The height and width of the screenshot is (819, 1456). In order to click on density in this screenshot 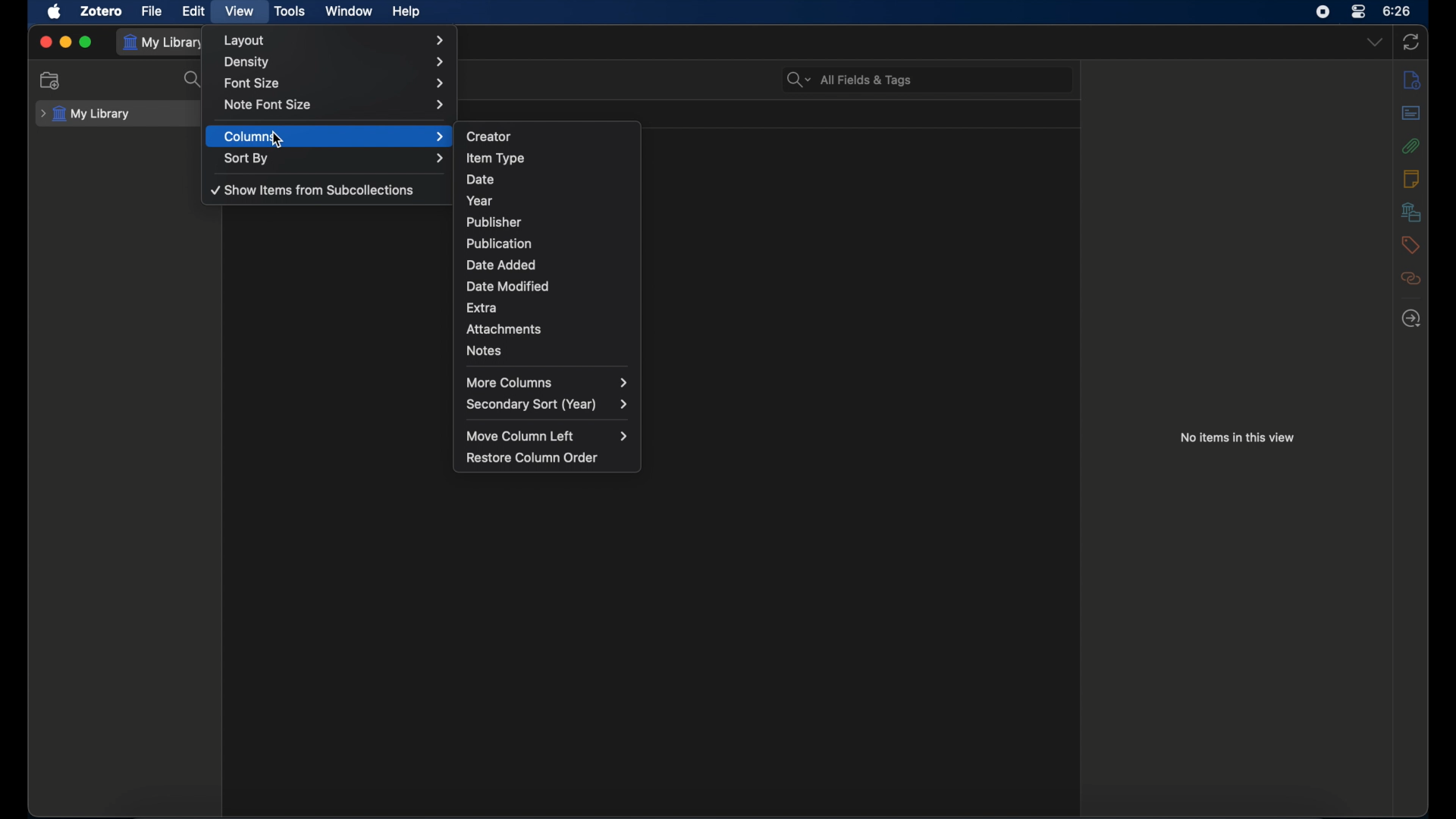, I will do `click(336, 62)`.